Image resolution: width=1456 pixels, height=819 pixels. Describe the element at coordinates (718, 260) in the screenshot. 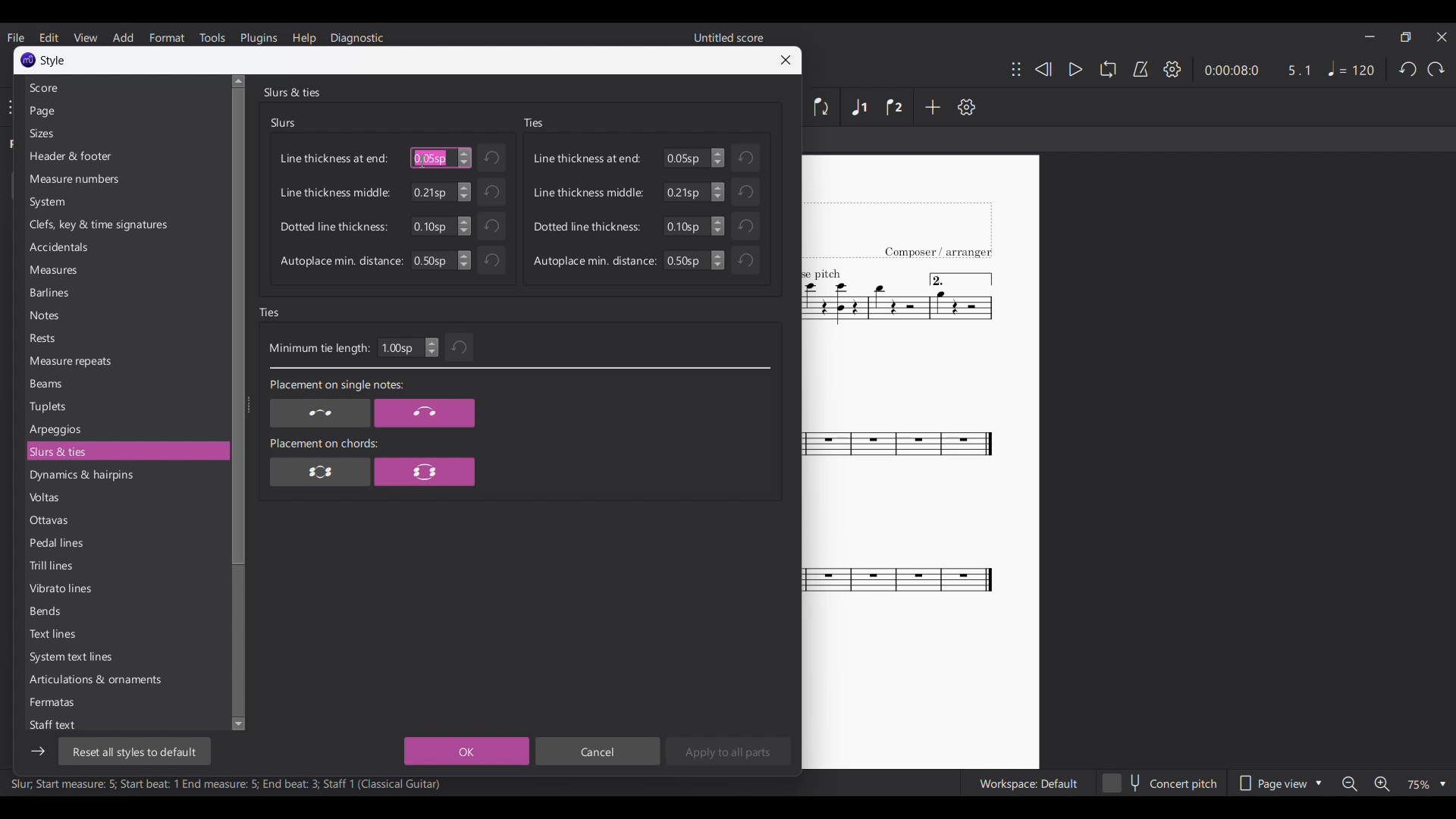

I see `Change autoplace min. distance` at that location.